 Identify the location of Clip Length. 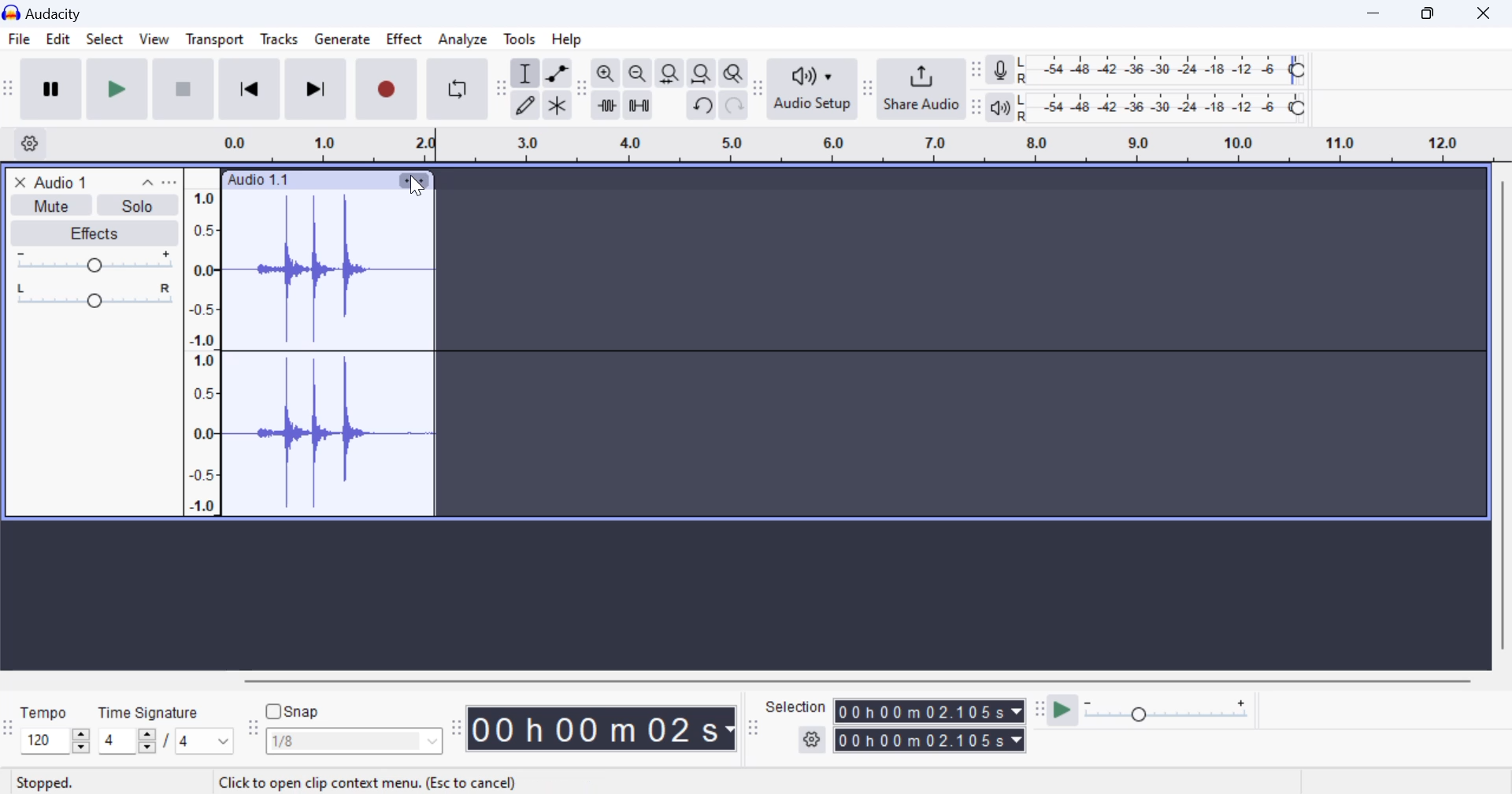
(605, 728).